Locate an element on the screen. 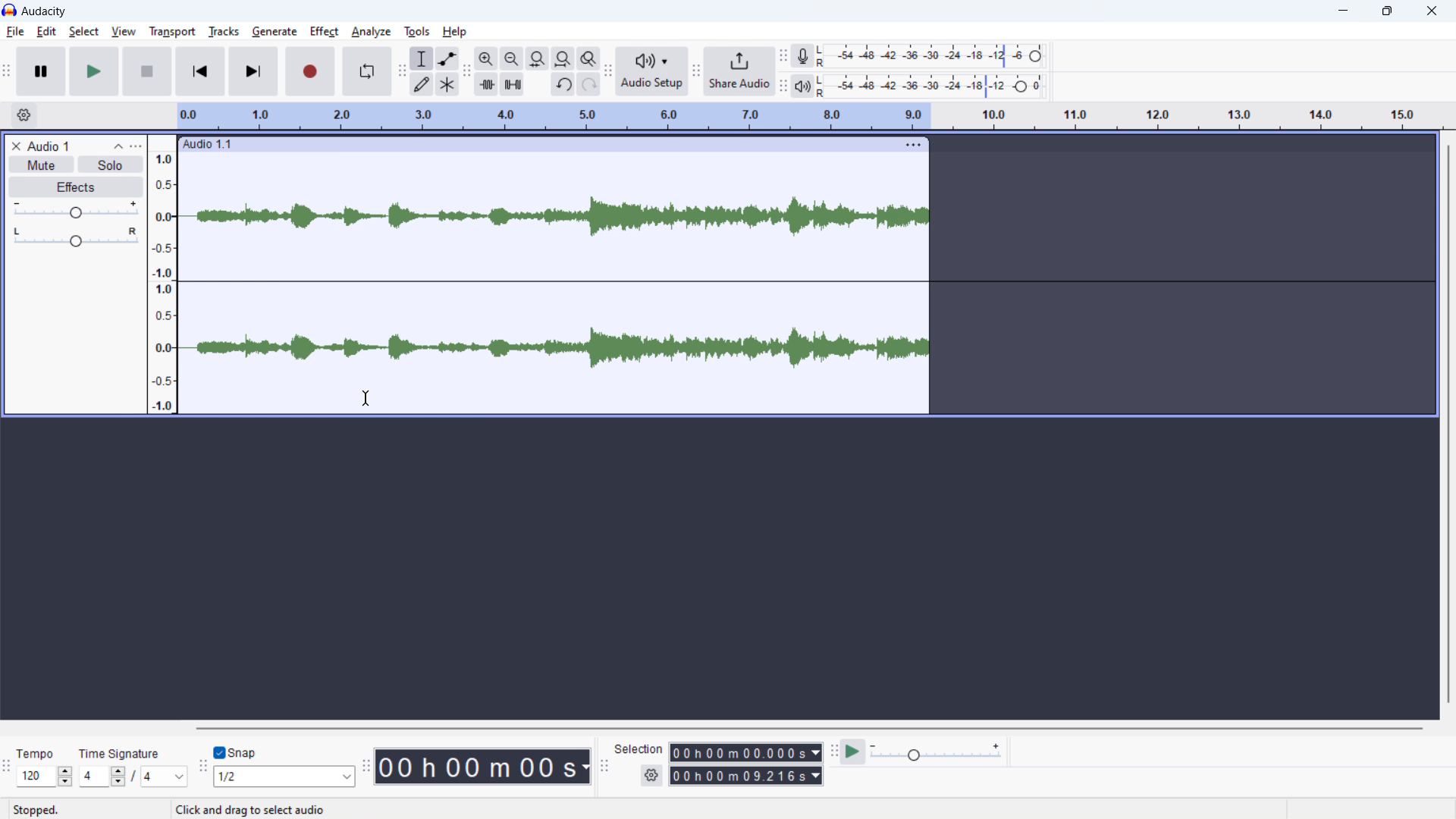 Image resolution: width=1456 pixels, height=819 pixels. timestamp is located at coordinates (482, 766).